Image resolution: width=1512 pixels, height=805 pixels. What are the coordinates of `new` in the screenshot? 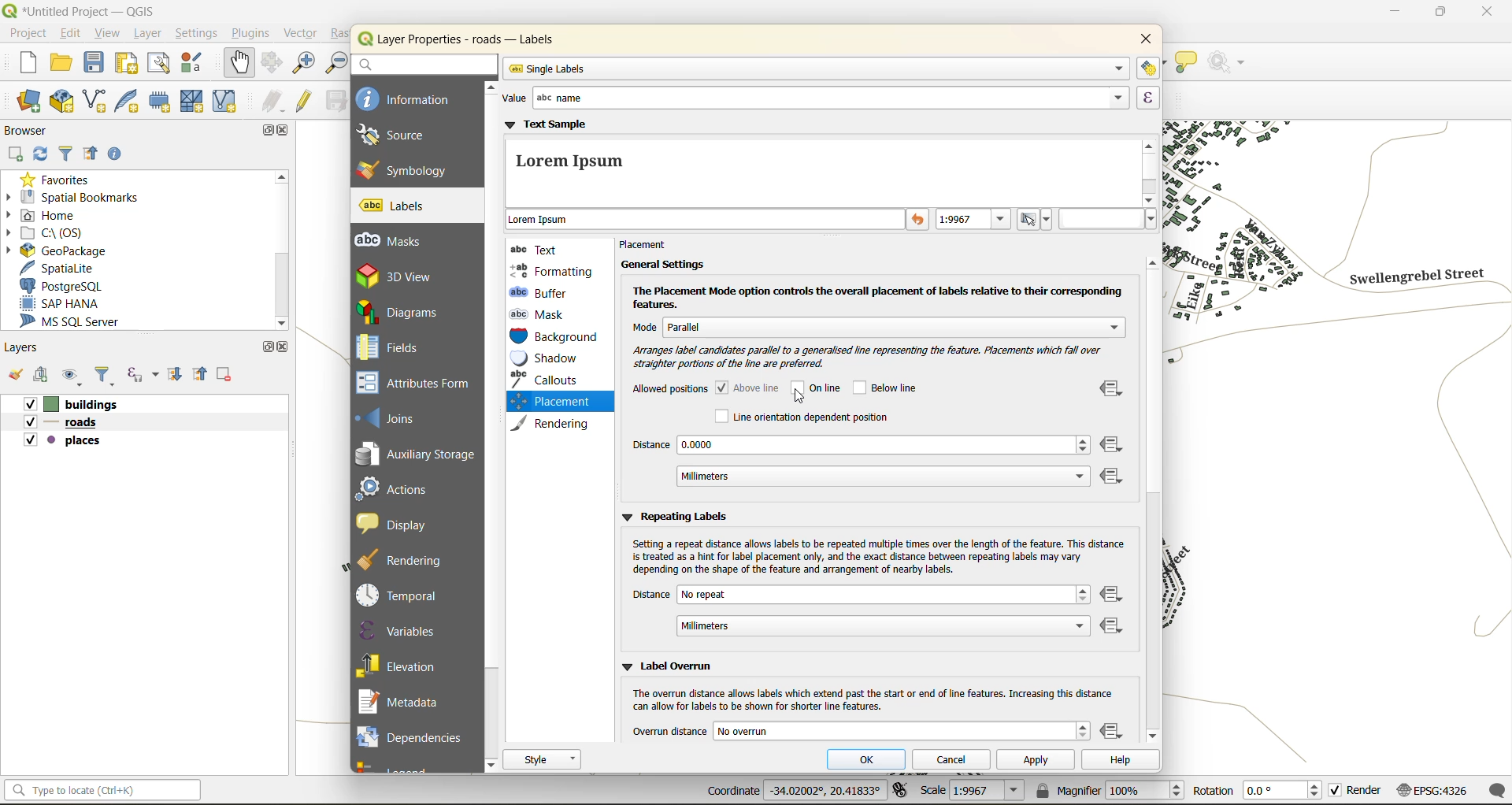 It's located at (22, 63).